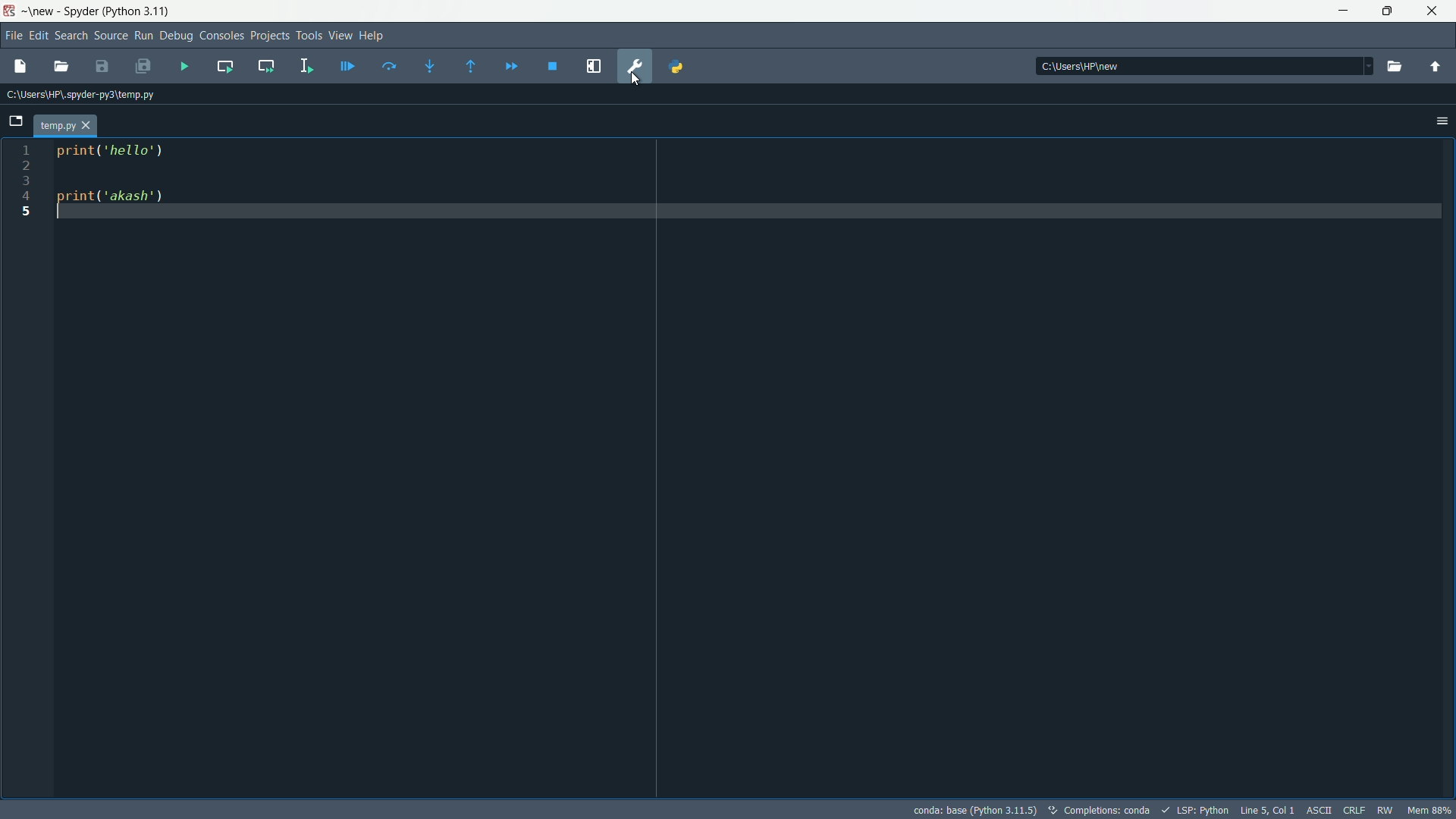 This screenshot has width=1456, height=819. I want to click on run selection, so click(307, 64).